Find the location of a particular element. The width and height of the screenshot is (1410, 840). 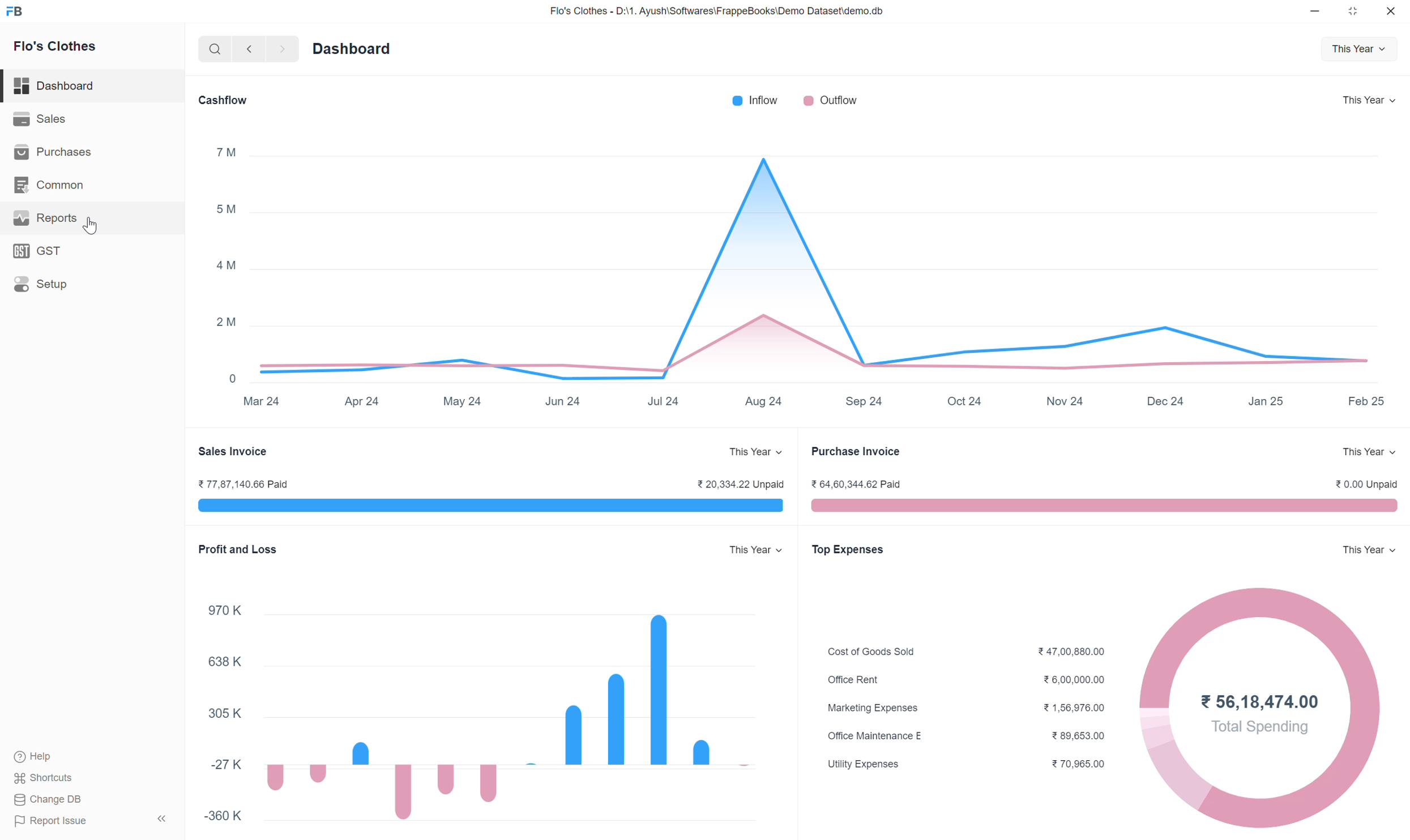

₹ 77,87,140.66 is located at coordinates (240, 483).